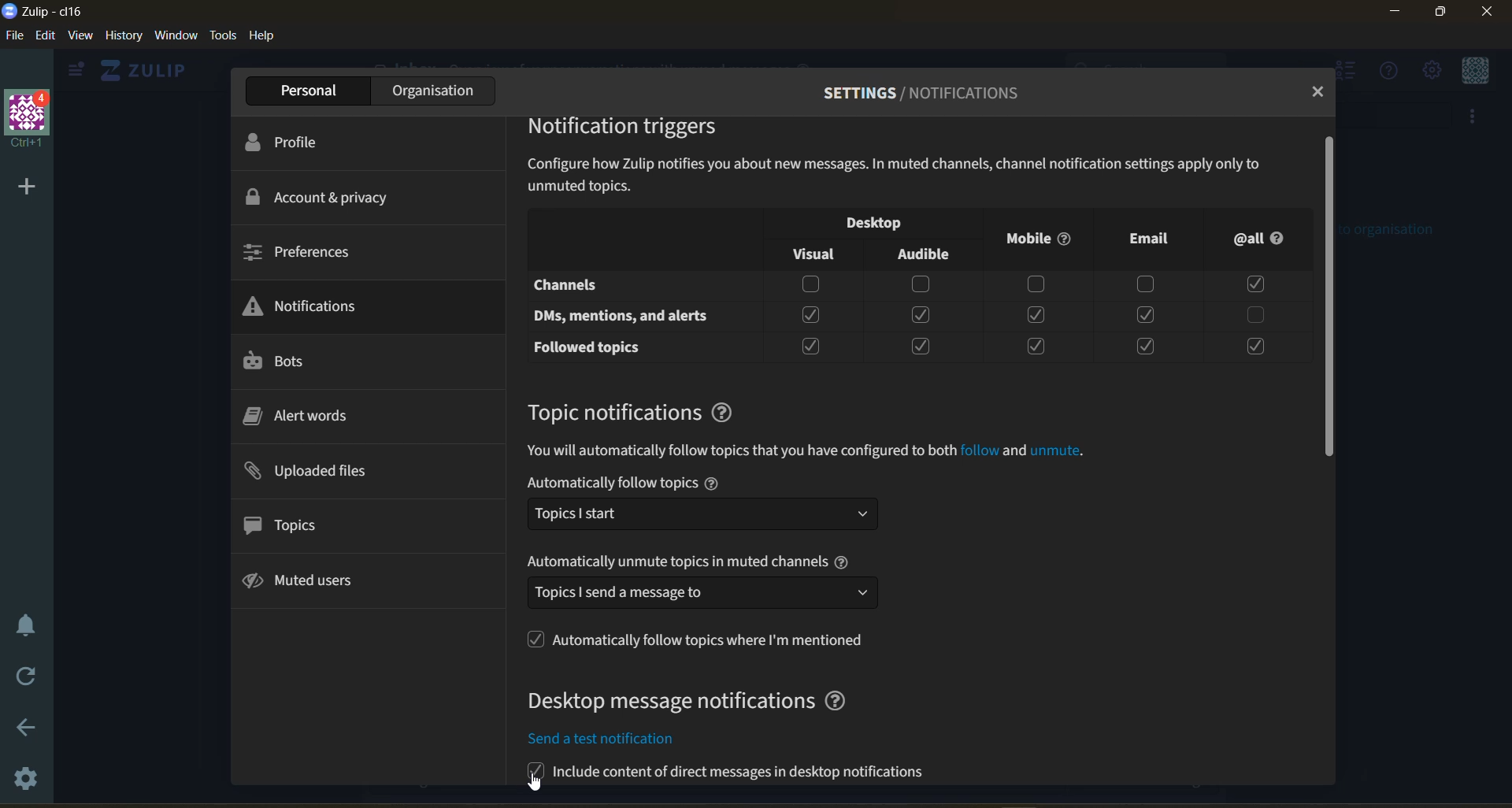 The height and width of the screenshot is (808, 1512). Describe the element at coordinates (1040, 240) in the screenshot. I see `Mobile` at that location.